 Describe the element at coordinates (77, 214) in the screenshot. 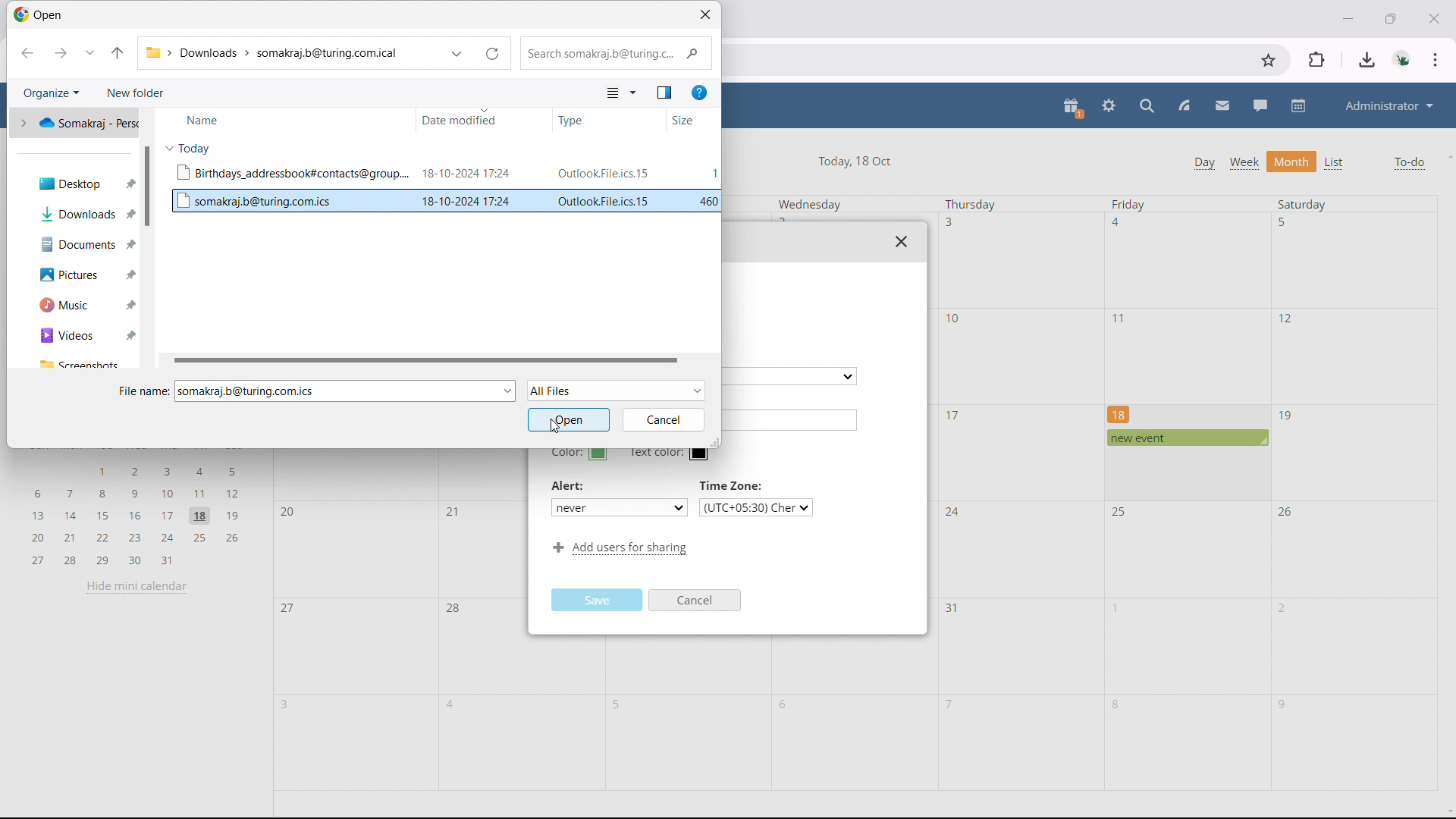

I see `Downloads` at that location.